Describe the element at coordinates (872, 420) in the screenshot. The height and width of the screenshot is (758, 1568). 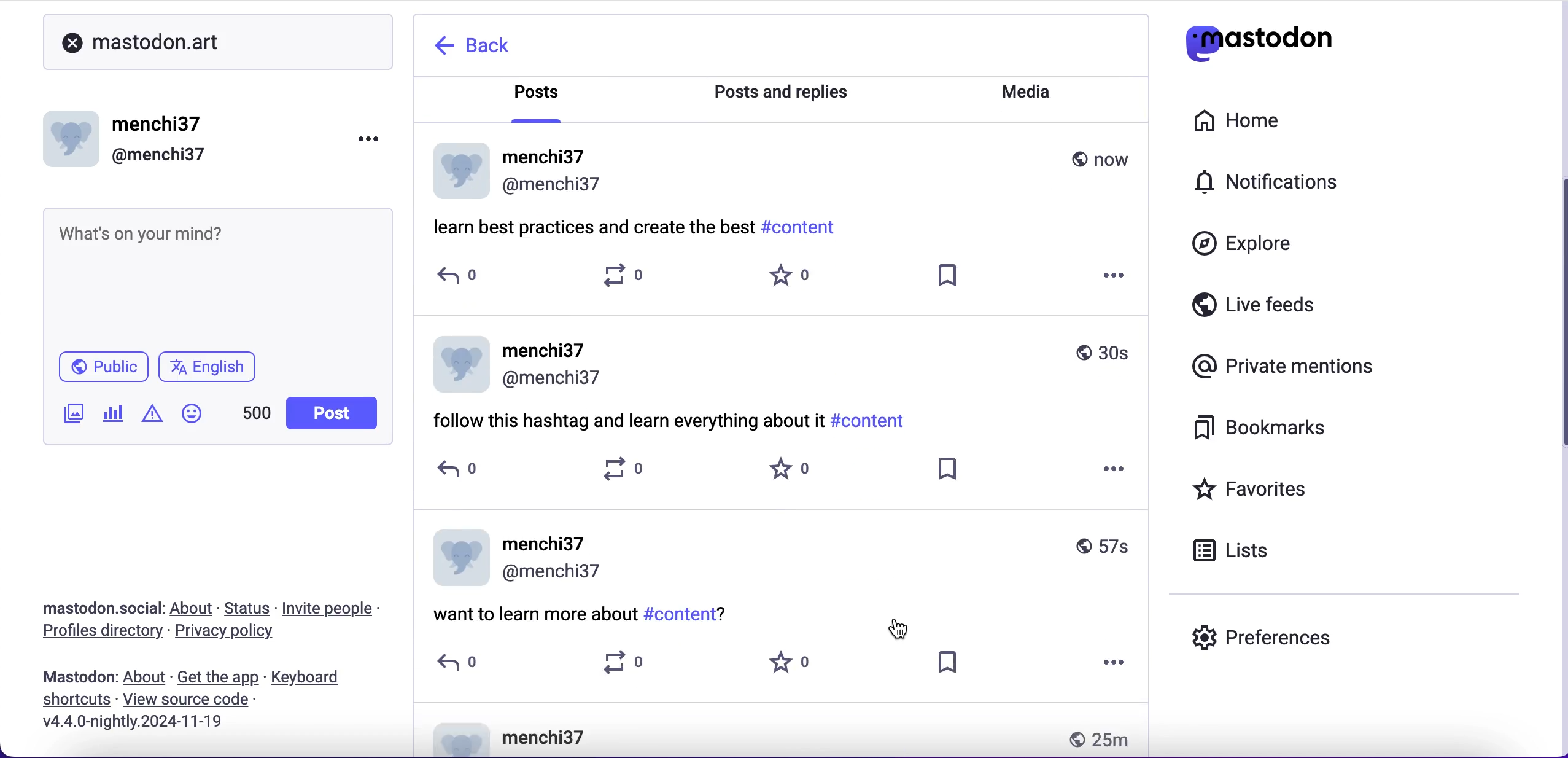
I see `#content` at that location.